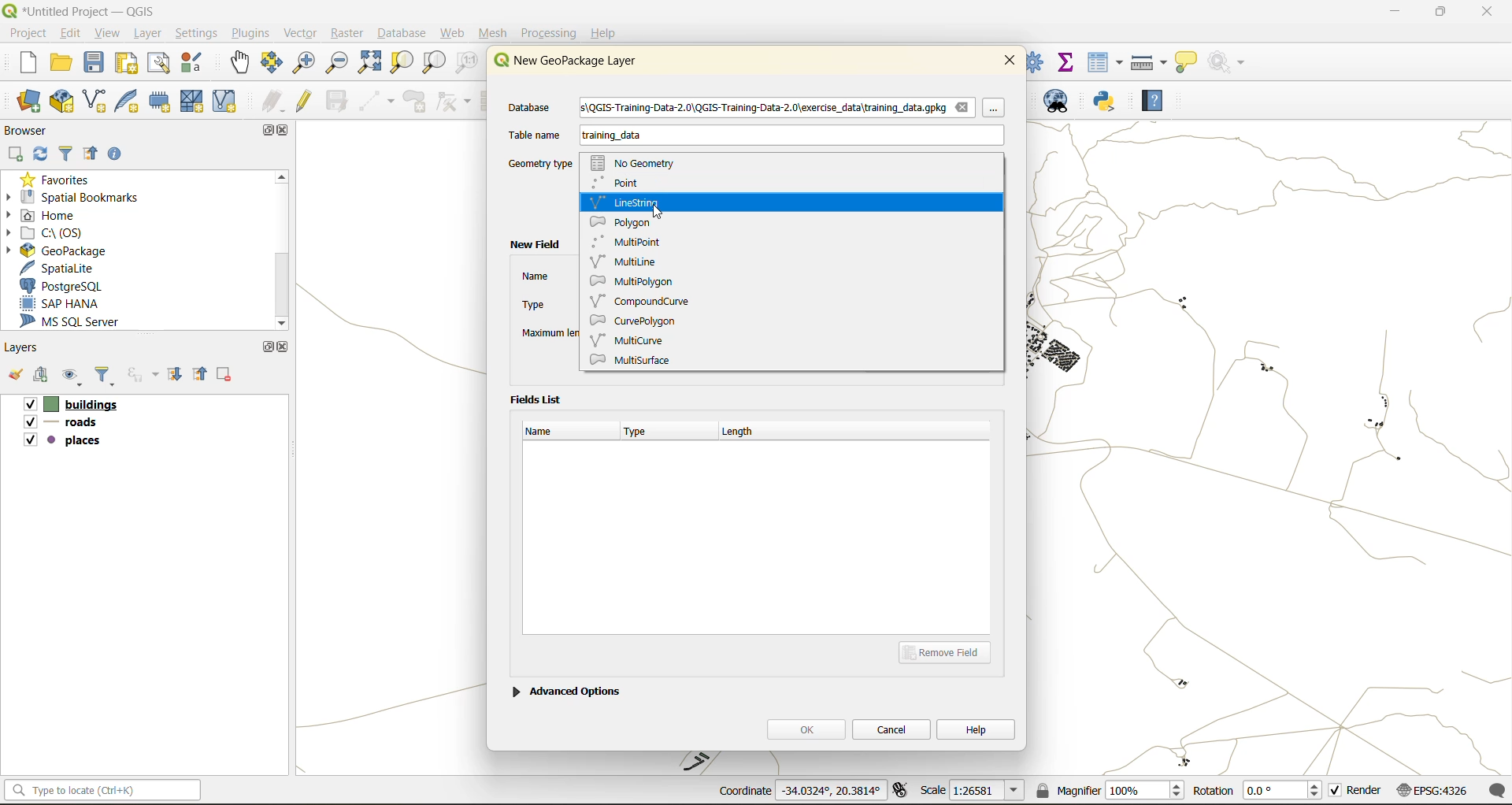  What do you see at coordinates (17, 154) in the screenshot?
I see `add` at bounding box center [17, 154].